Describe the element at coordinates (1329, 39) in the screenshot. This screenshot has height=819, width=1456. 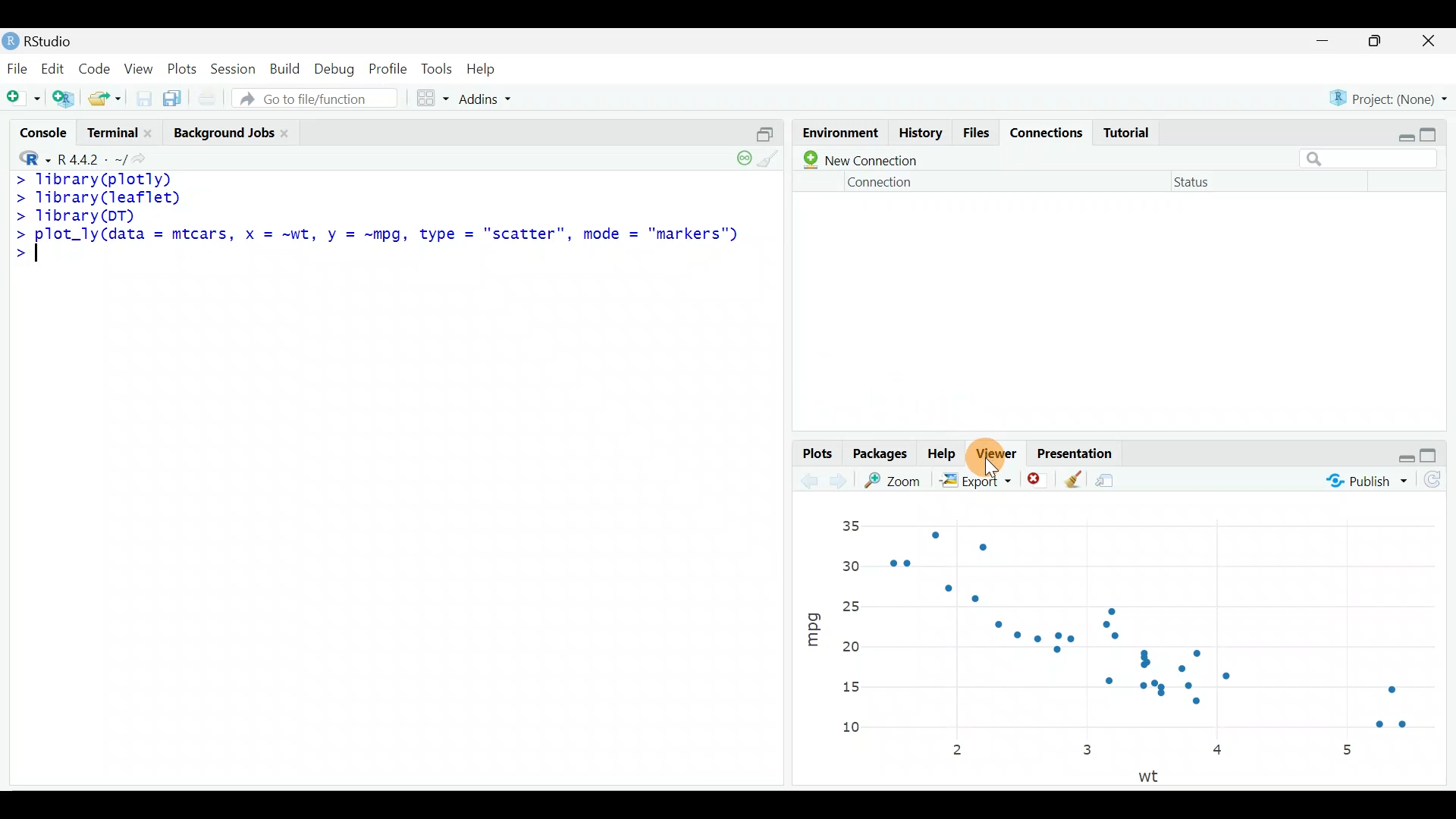
I see `minimize` at that location.